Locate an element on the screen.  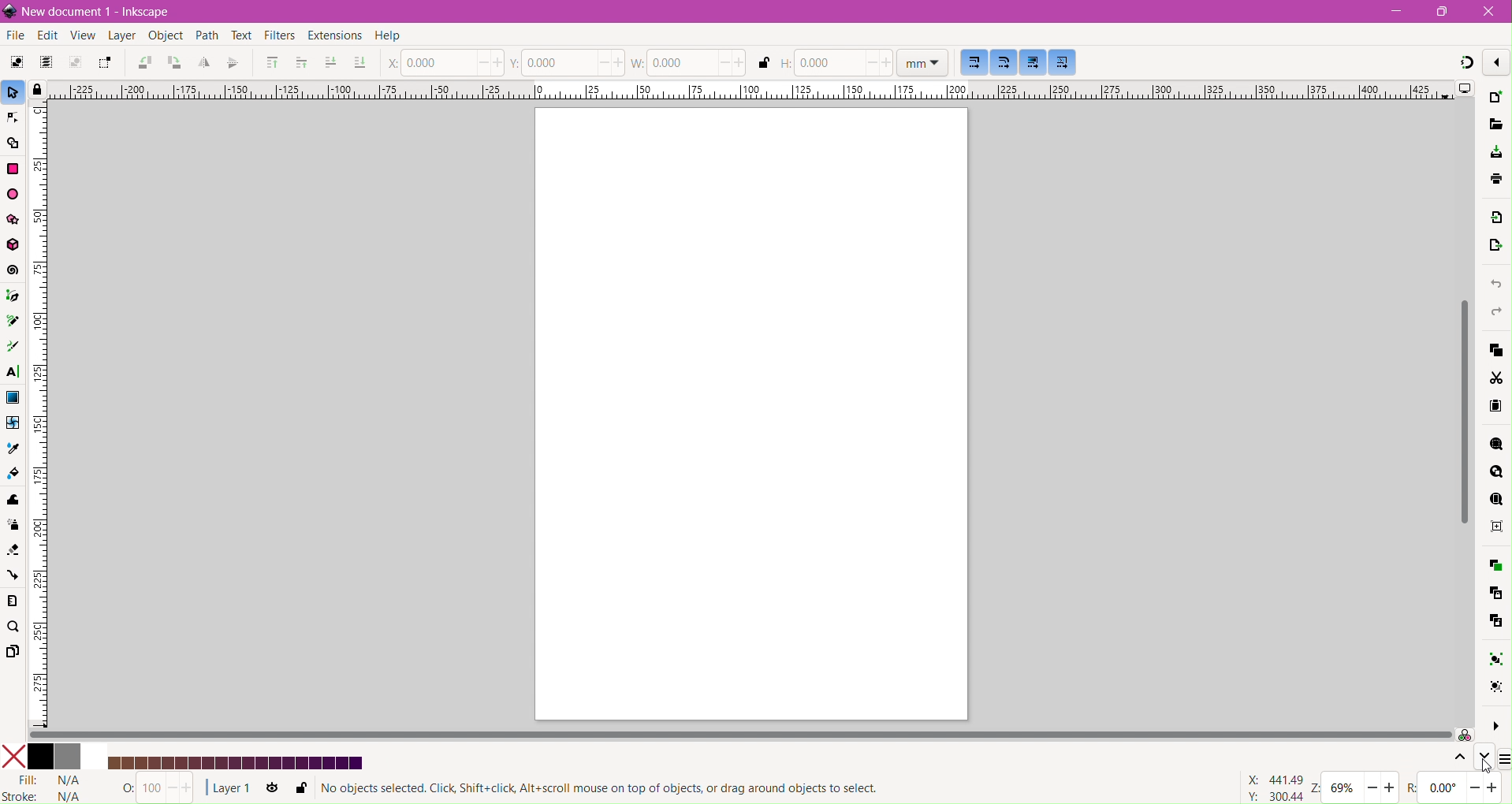
Riase to Top is located at coordinates (270, 65).